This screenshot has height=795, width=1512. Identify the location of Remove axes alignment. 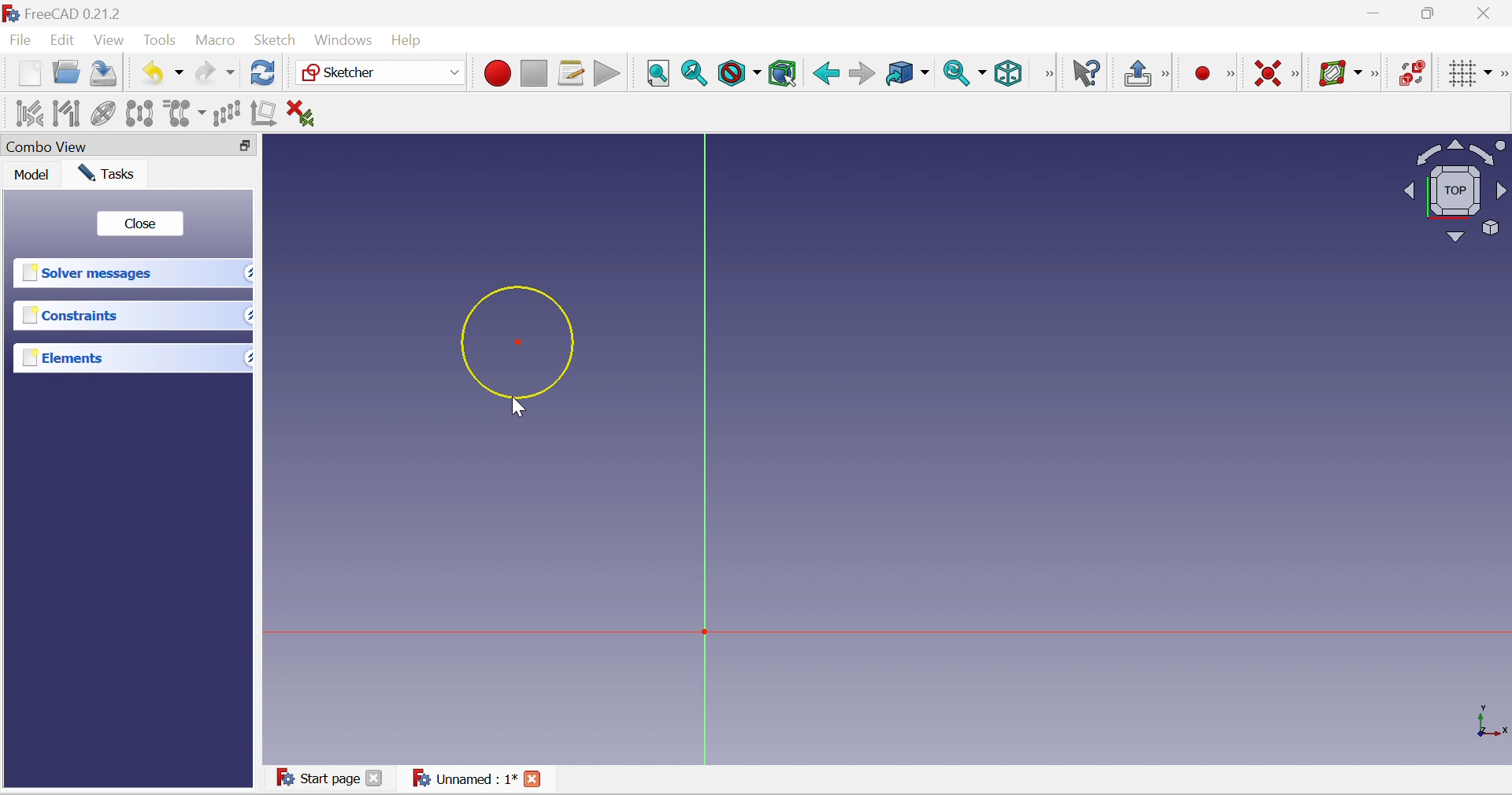
(264, 112).